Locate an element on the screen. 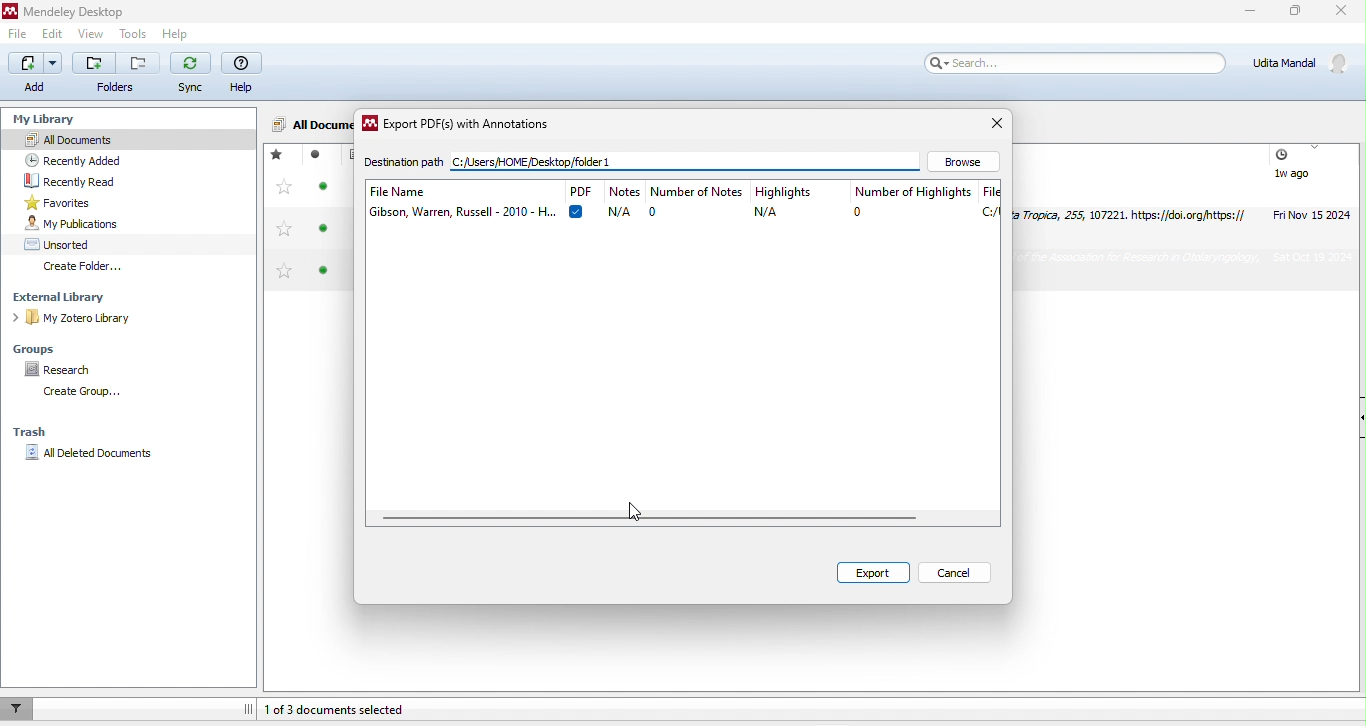  edit is located at coordinates (57, 34).